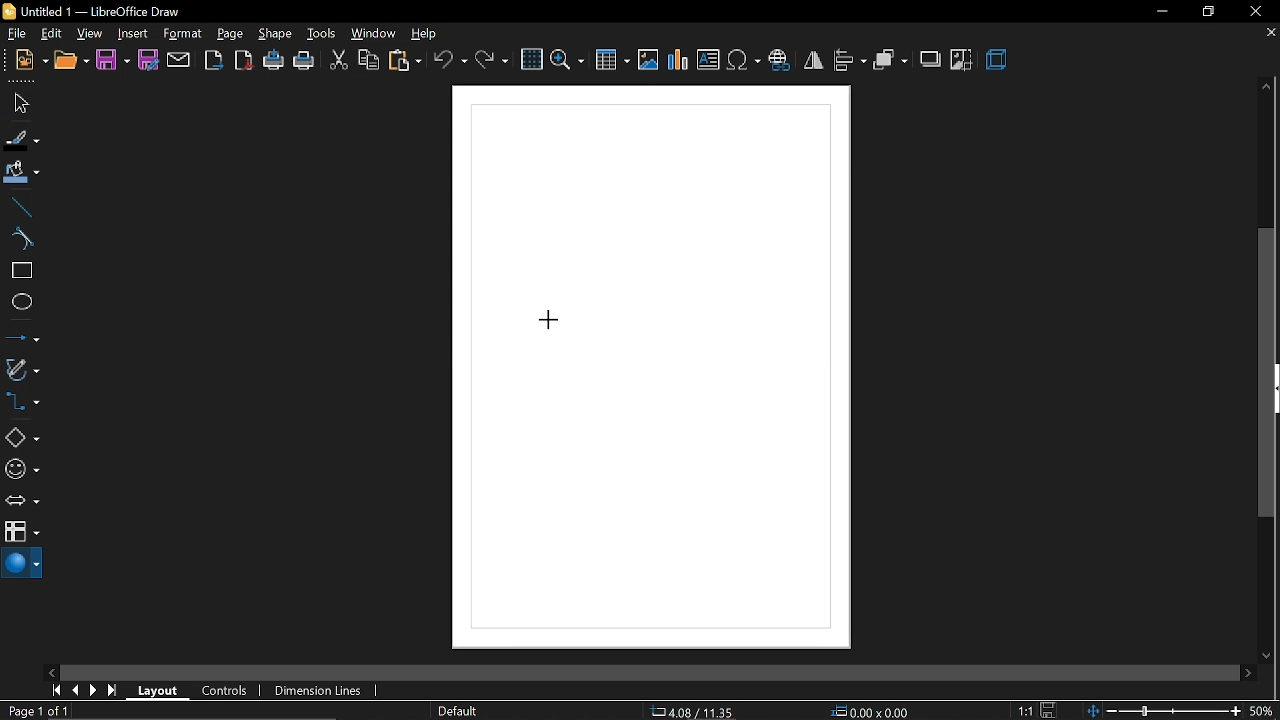 The width and height of the screenshot is (1280, 720). What do you see at coordinates (23, 502) in the screenshot?
I see `arrows` at bounding box center [23, 502].